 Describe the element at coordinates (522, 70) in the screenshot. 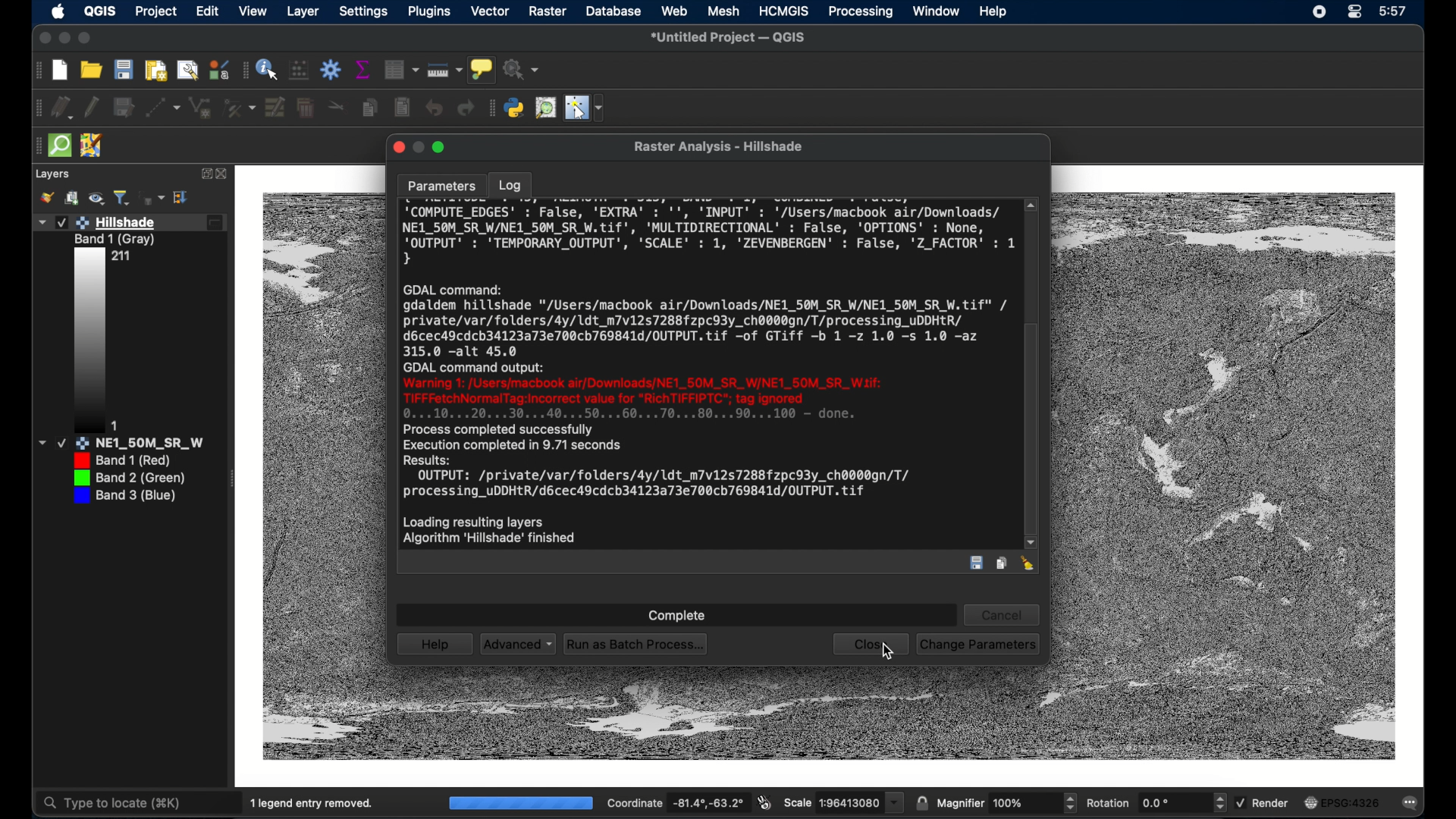

I see `no action selected` at that location.